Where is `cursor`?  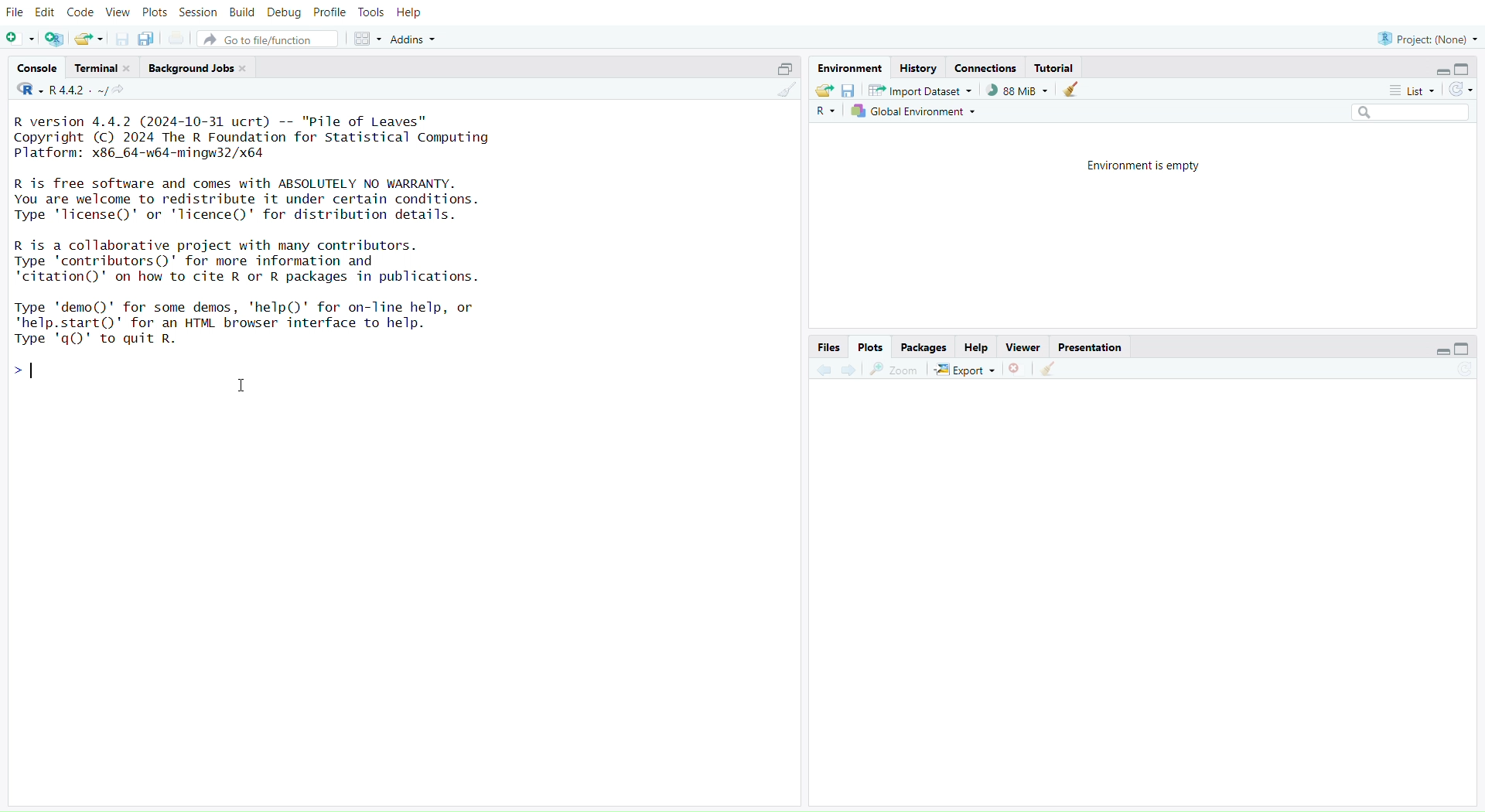
cursor is located at coordinates (241, 387).